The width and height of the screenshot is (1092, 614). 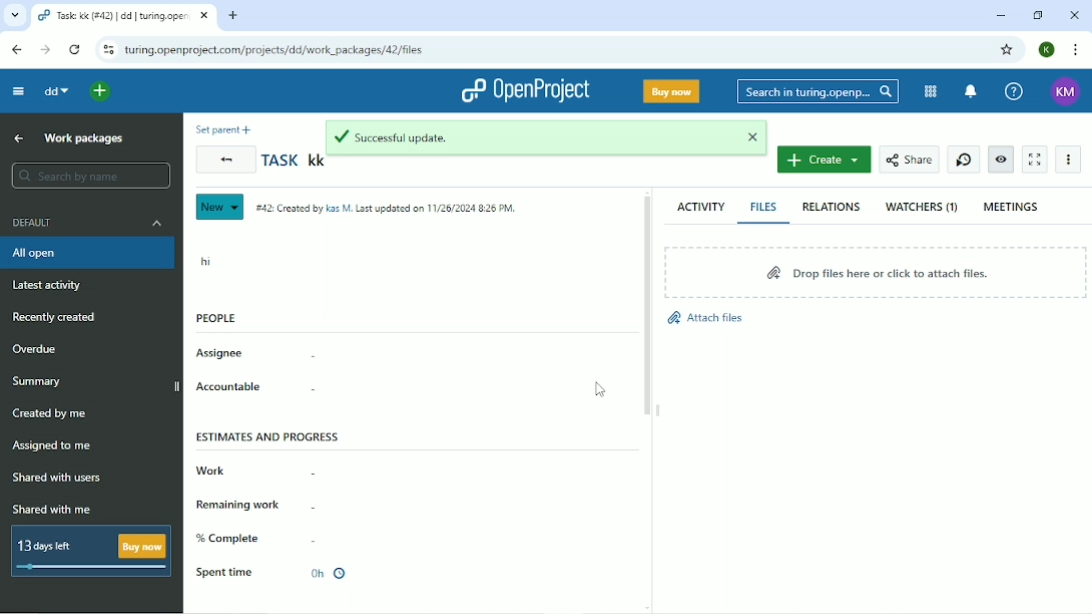 I want to click on Shared with me, so click(x=50, y=509).